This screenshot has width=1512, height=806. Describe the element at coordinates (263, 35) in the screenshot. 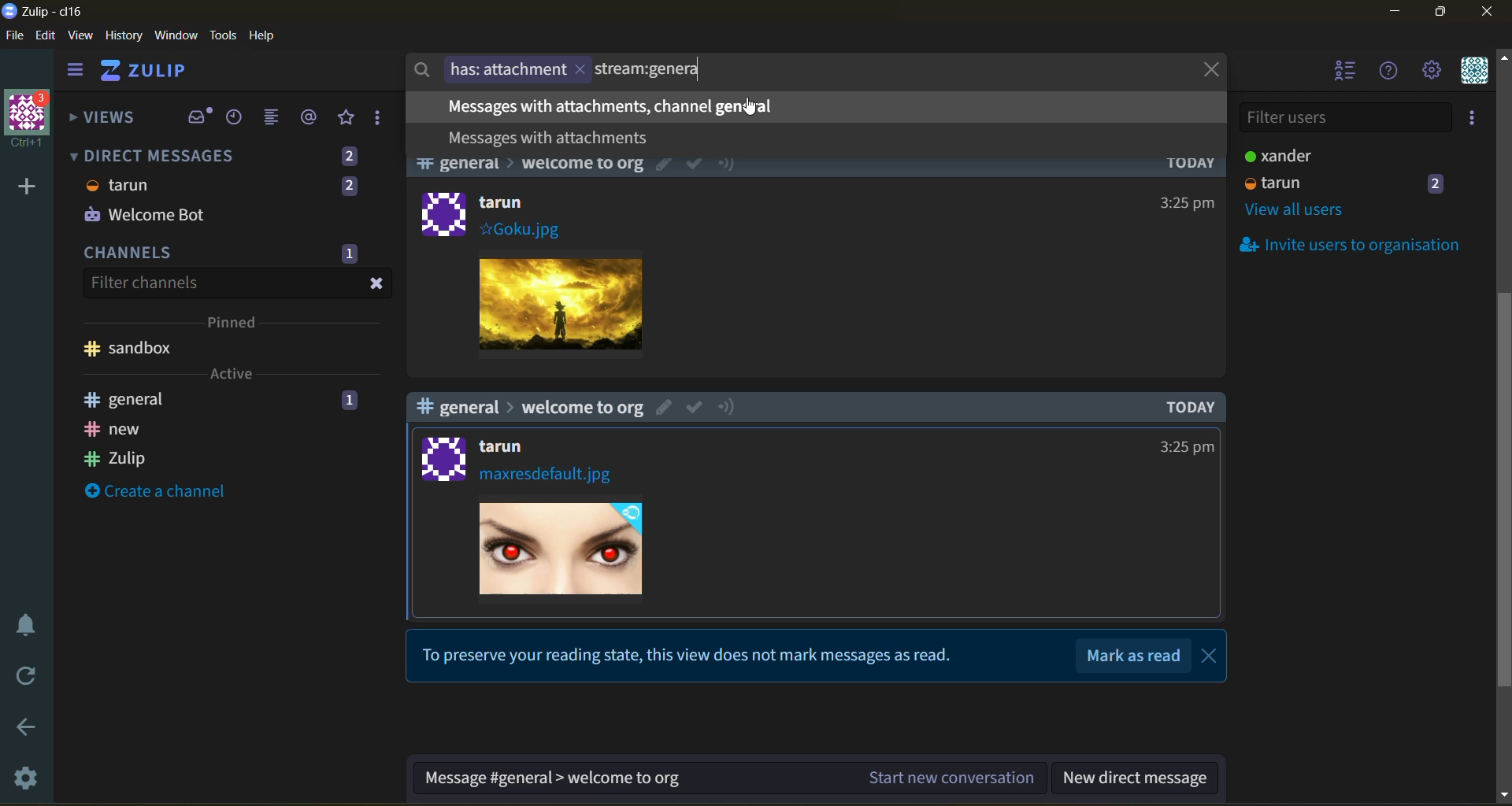

I see `help` at that location.